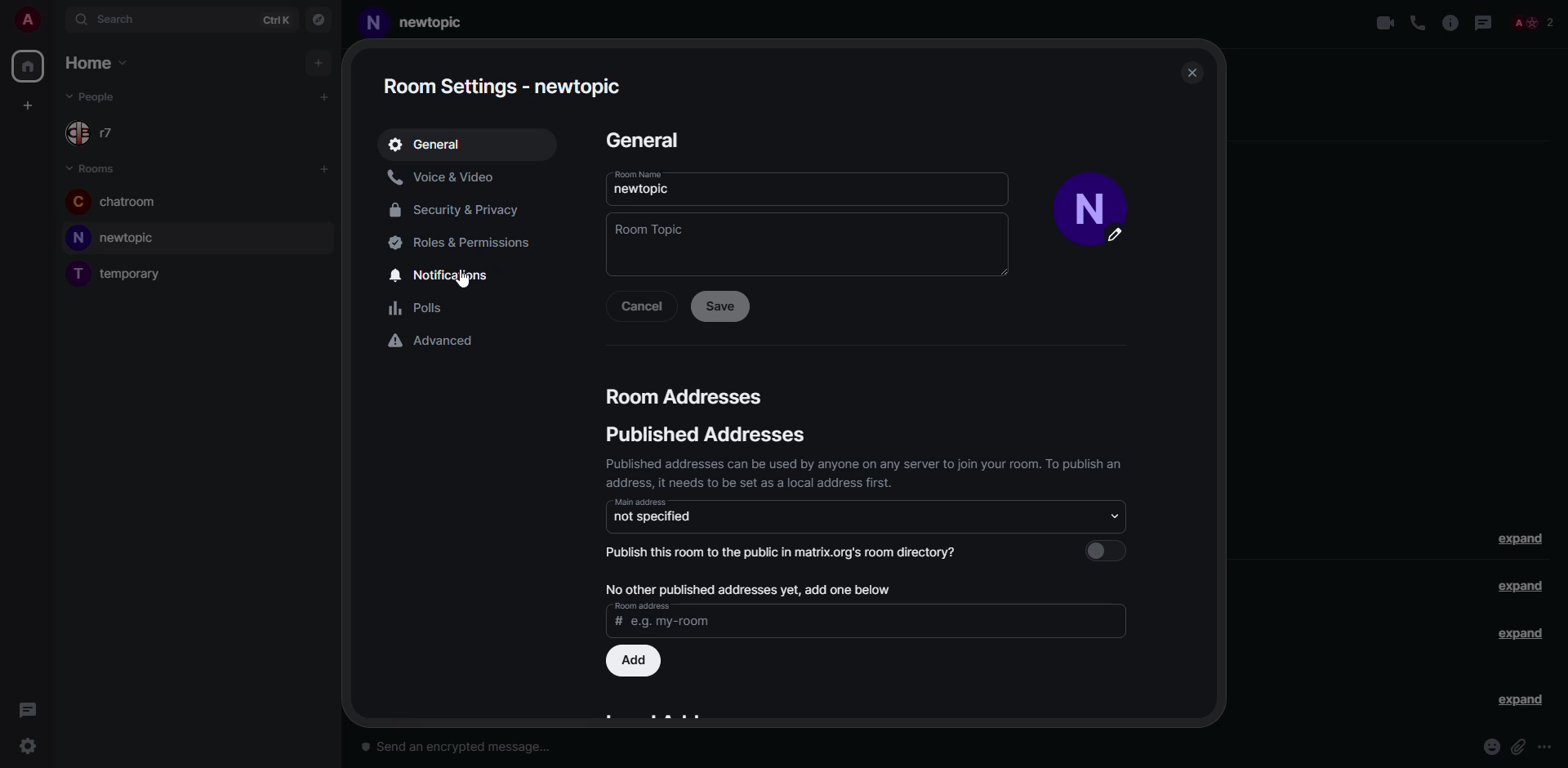  I want to click on threads, so click(1483, 22).